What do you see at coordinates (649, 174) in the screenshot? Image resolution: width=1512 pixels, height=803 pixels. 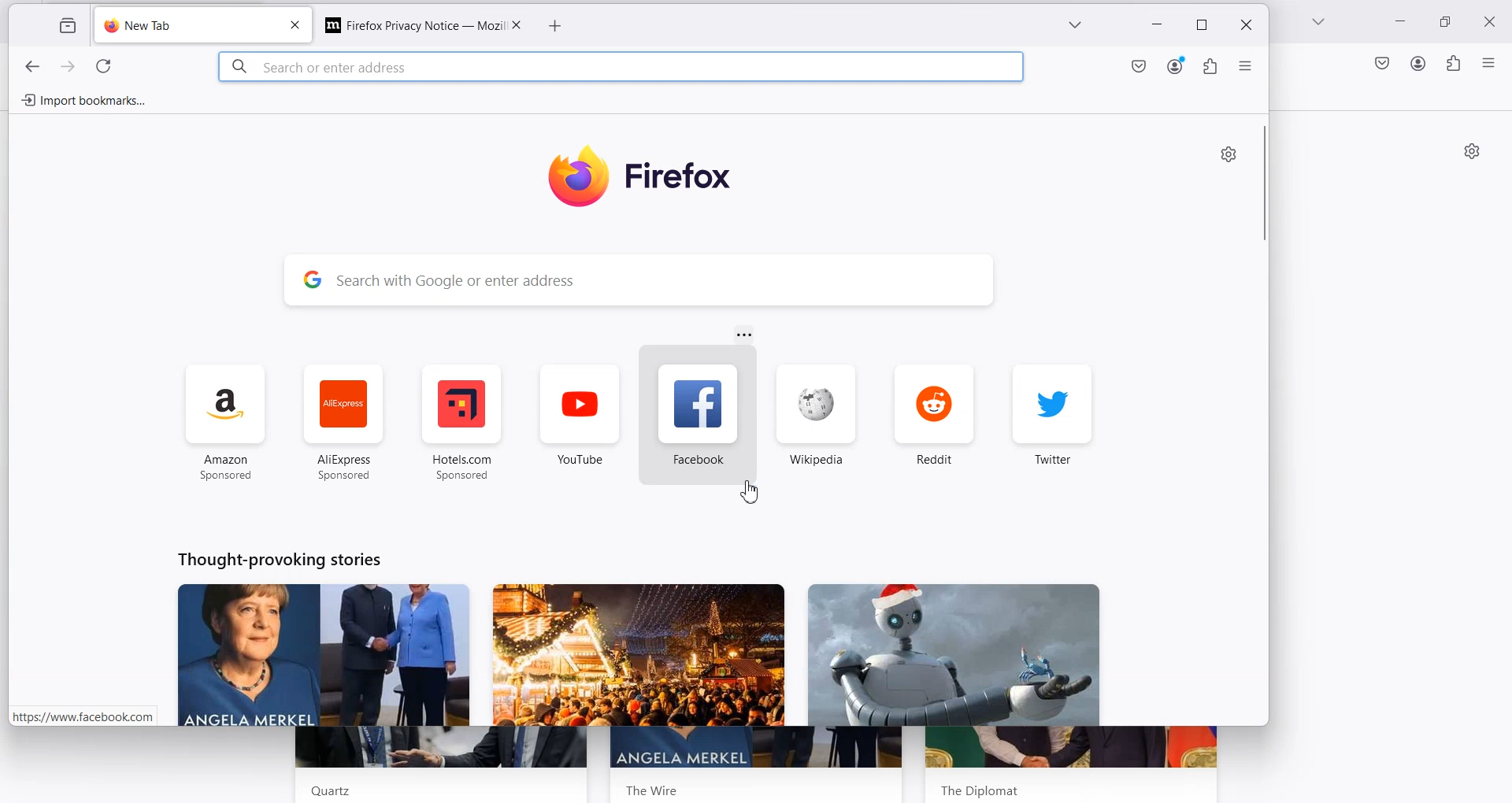 I see `firefox logo` at bounding box center [649, 174].